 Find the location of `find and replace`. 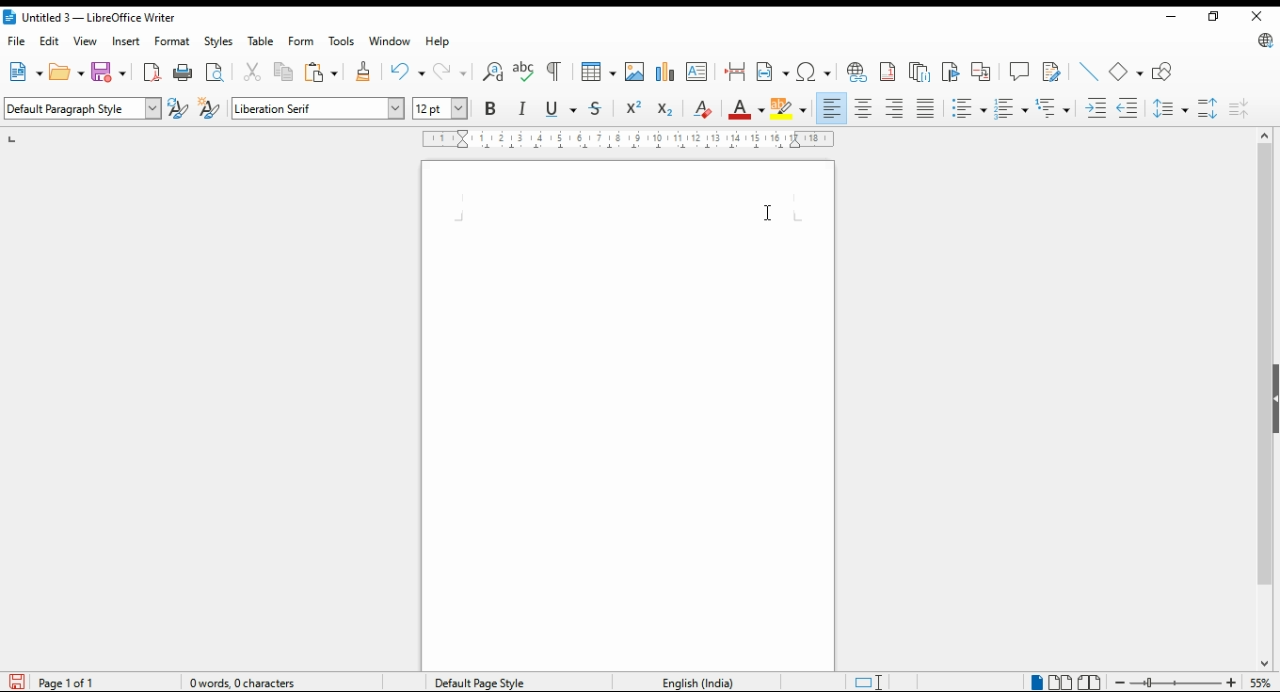

find and replace is located at coordinates (494, 72).